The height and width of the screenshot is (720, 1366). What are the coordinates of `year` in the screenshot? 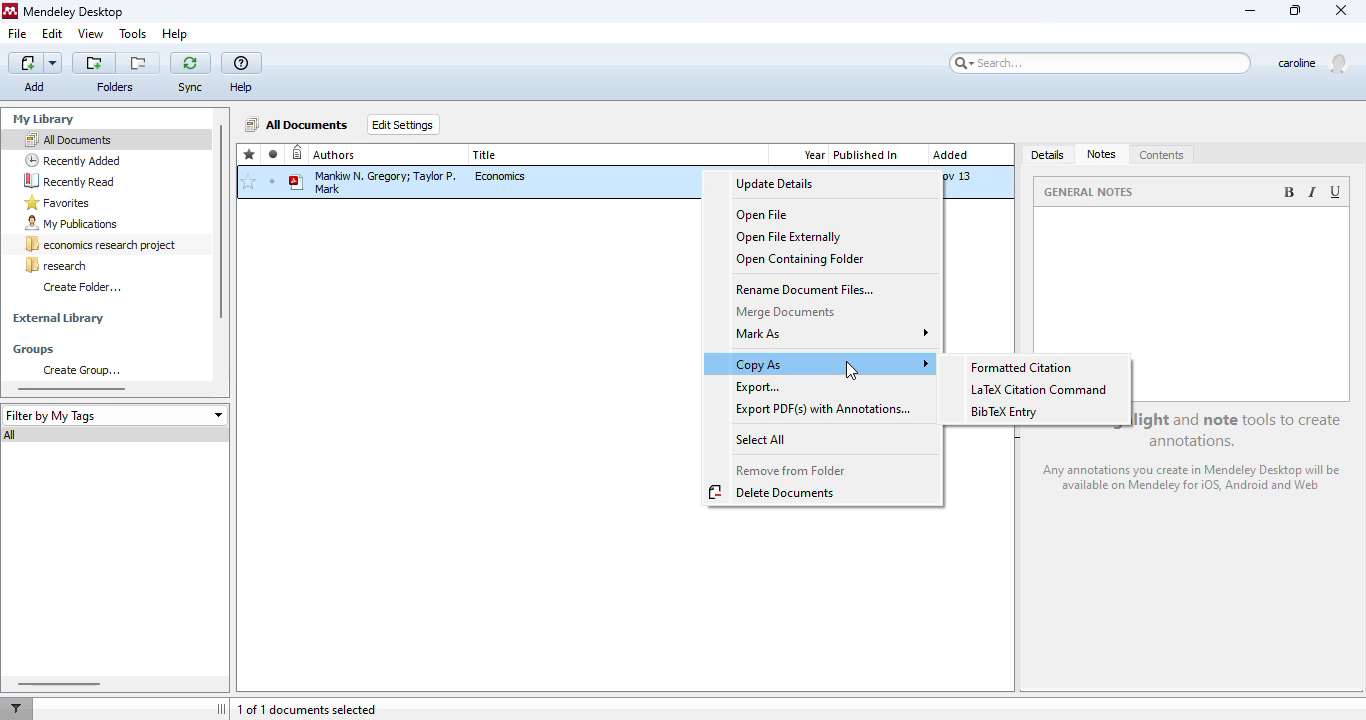 It's located at (814, 155).